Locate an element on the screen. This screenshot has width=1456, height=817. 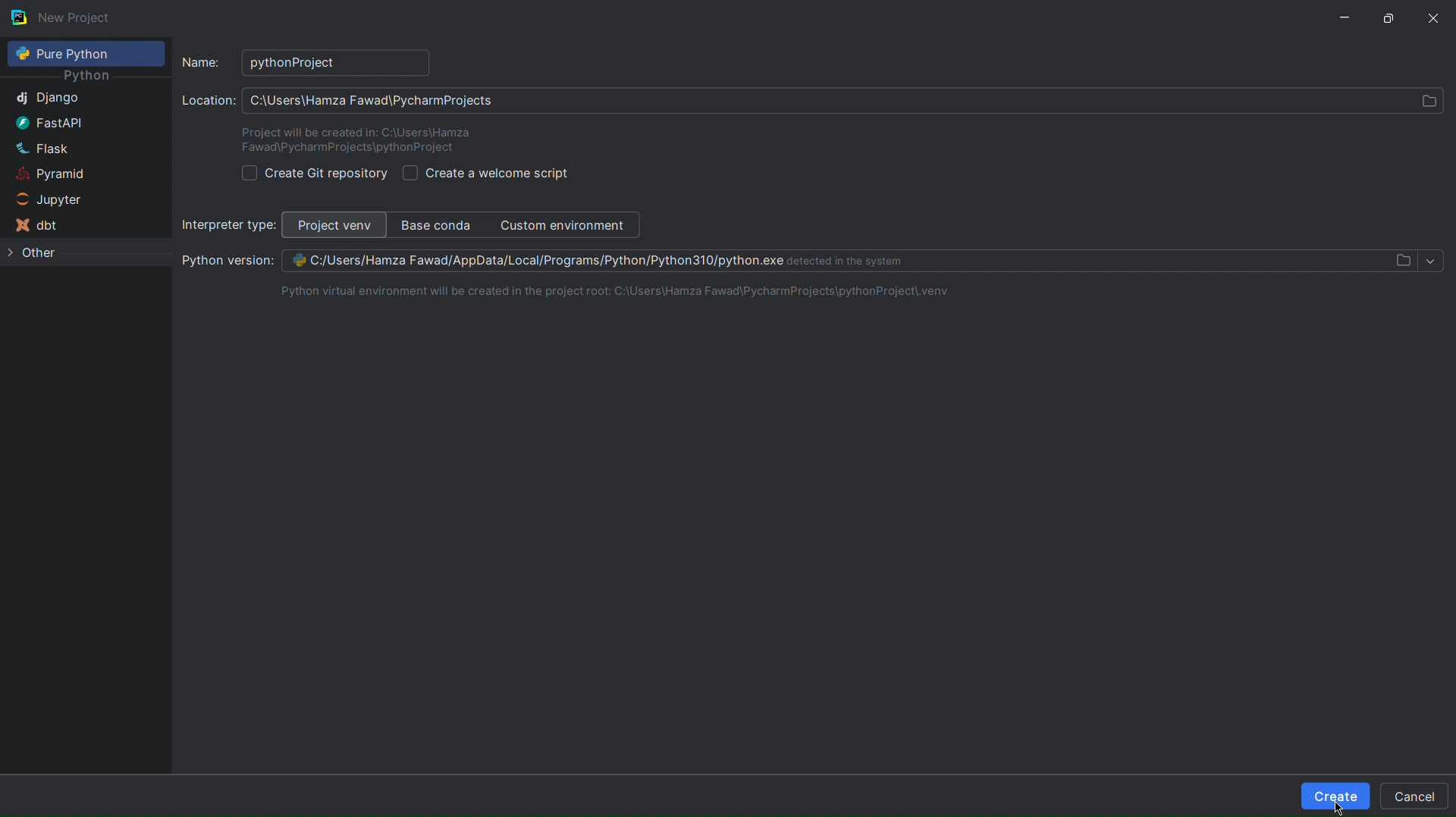
FastAPI is located at coordinates (49, 121).